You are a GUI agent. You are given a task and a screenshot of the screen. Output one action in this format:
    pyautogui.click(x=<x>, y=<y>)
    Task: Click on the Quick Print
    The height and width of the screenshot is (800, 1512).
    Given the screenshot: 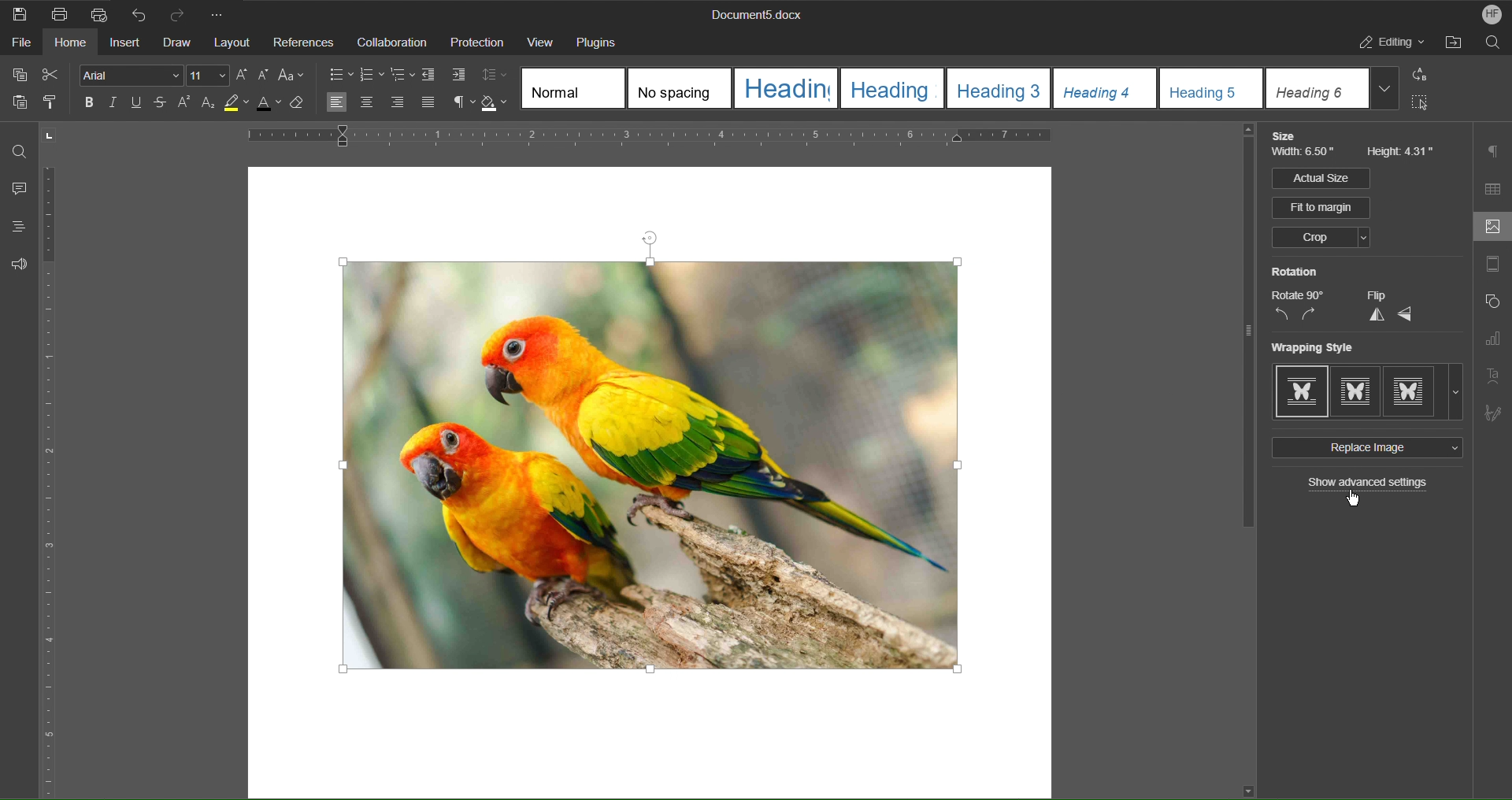 What is the action you would take?
    pyautogui.click(x=98, y=13)
    